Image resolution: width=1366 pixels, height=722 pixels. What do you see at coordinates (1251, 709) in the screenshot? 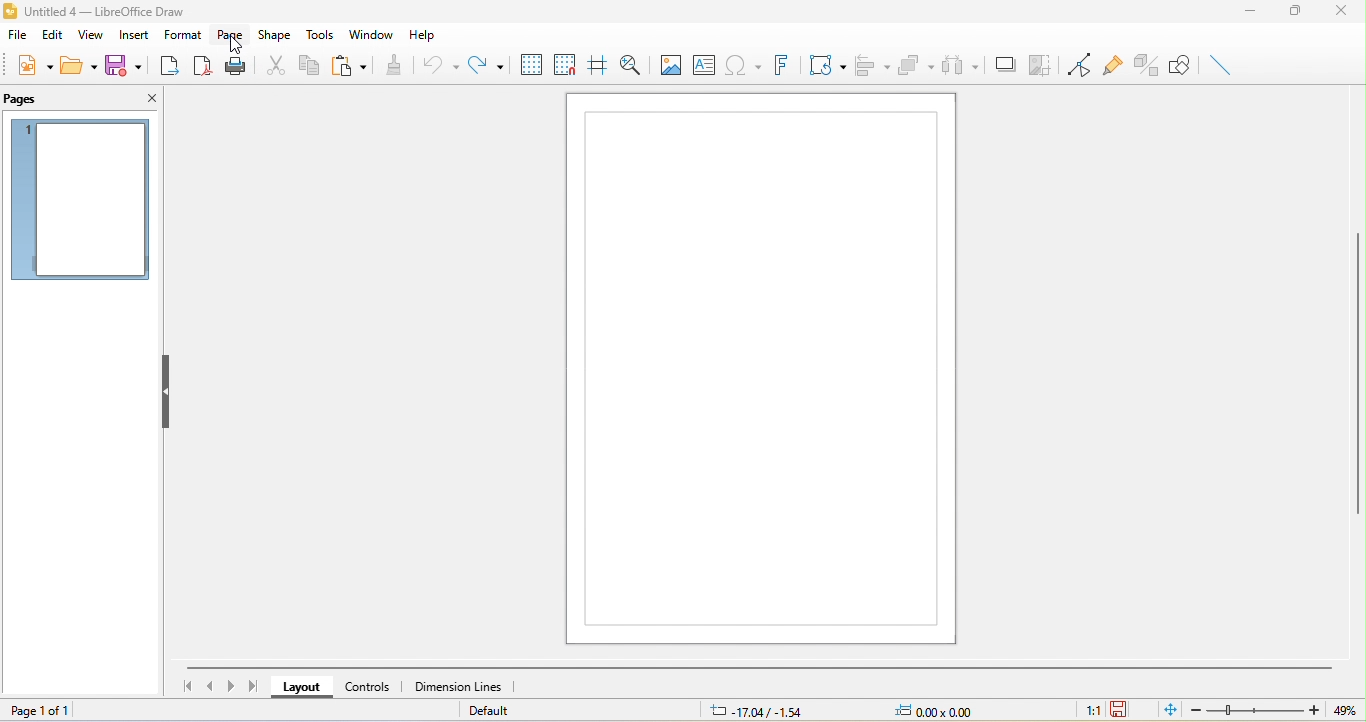
I see `zoom` at bounding box center [1251, 709].